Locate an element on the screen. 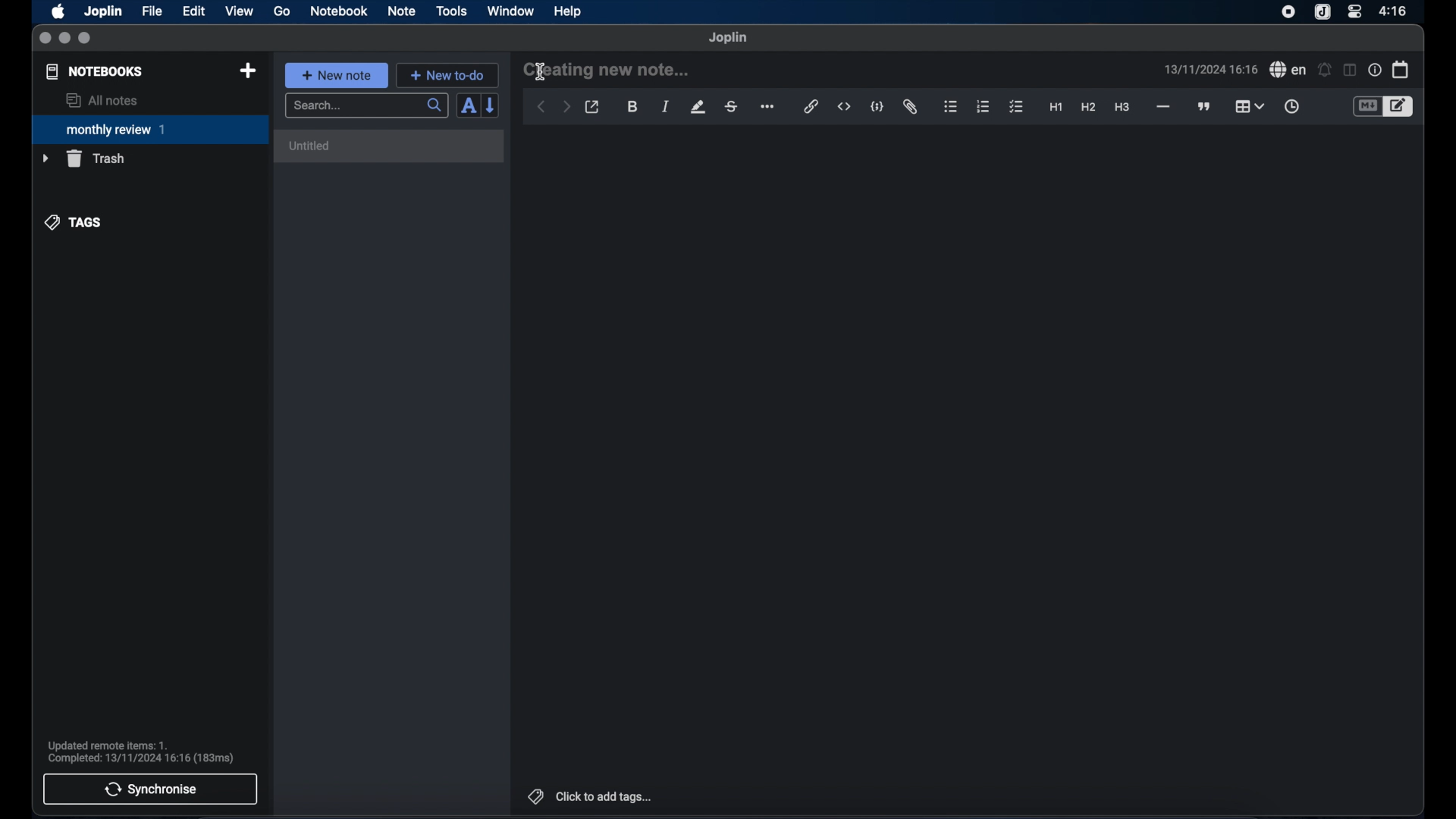 This screenshot has width=1456, height=819. view is located at coordinates (239, 11).